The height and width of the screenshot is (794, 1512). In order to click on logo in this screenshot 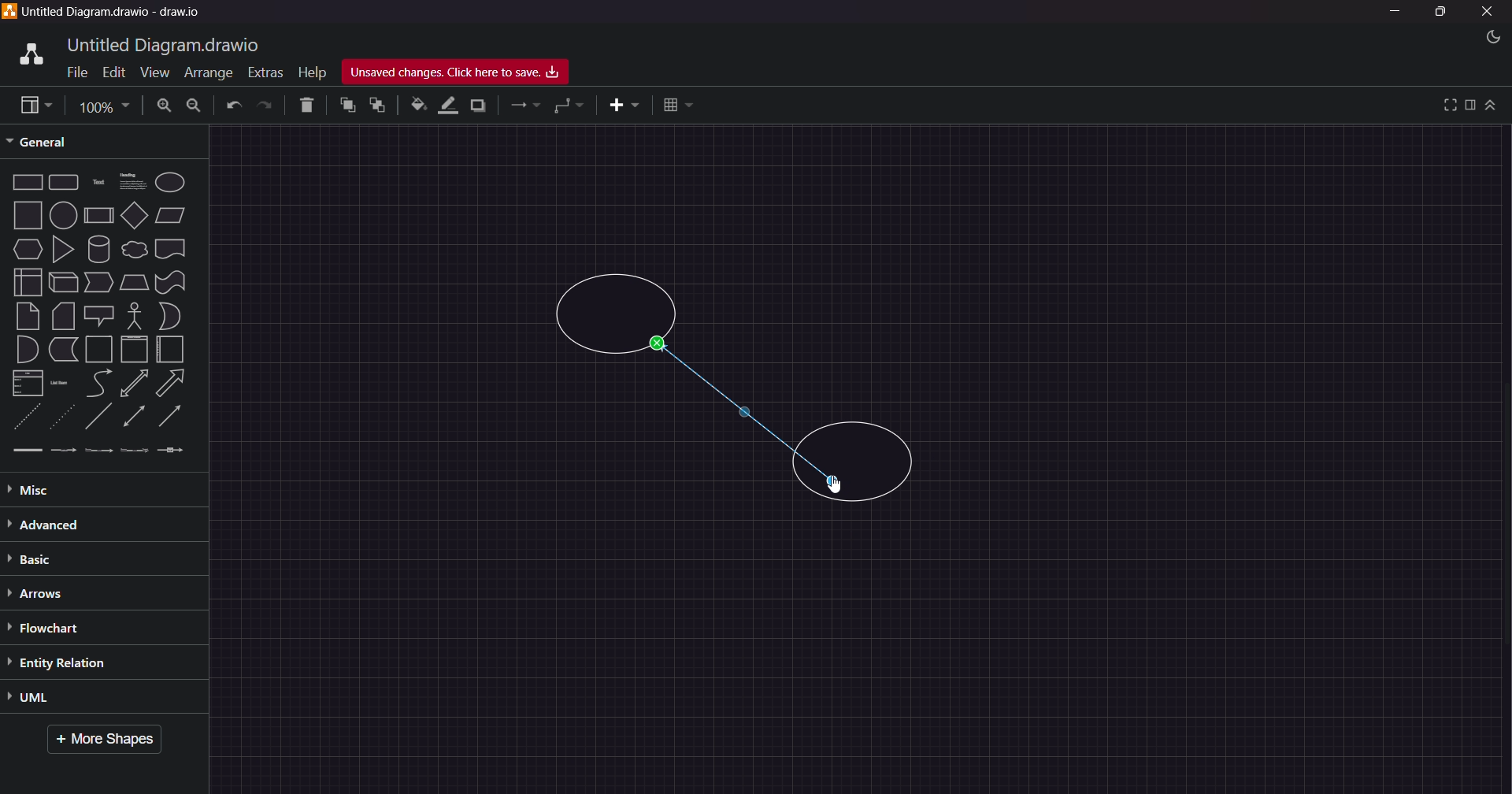, I will do `click(28, 52)`.